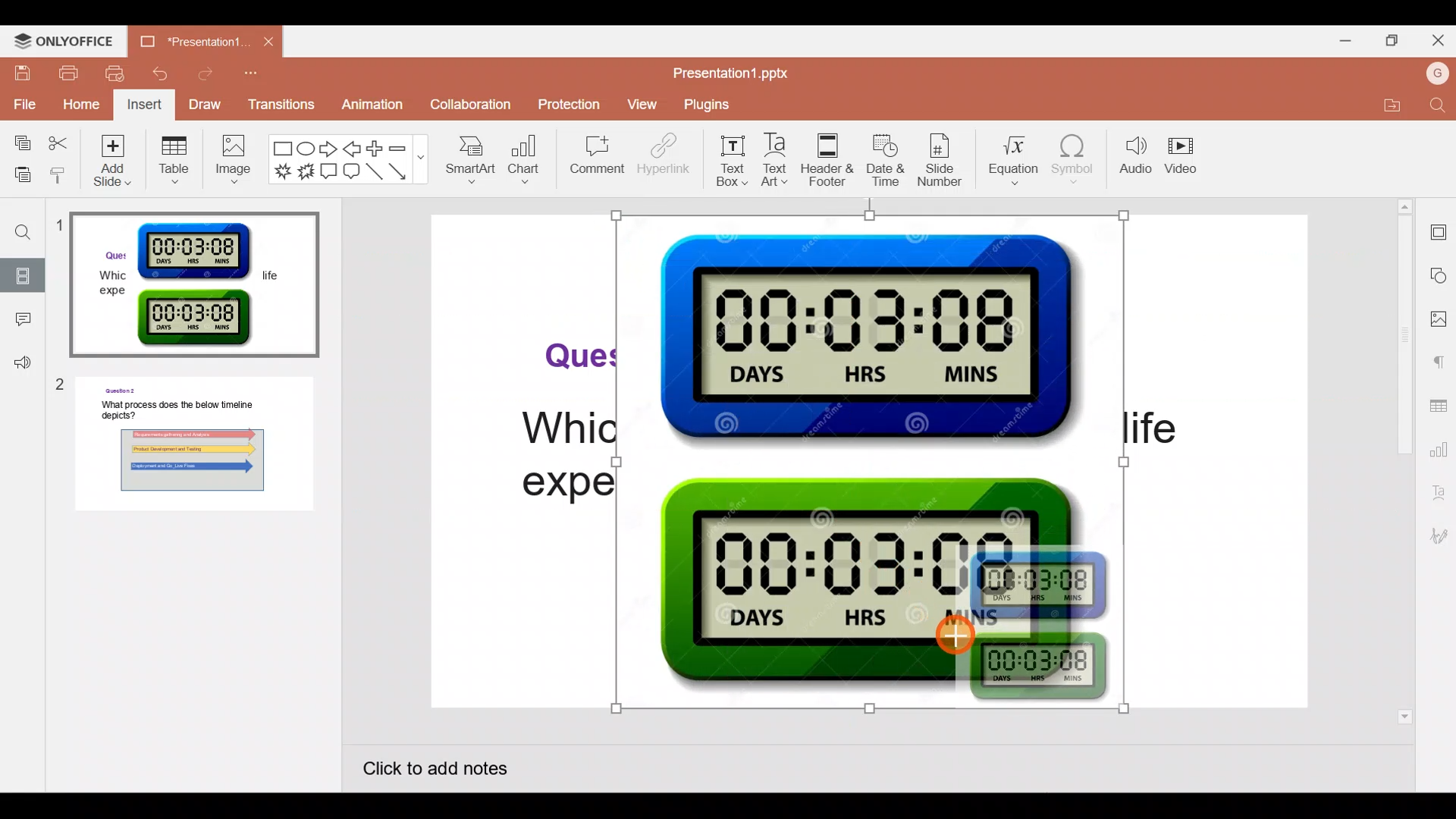  Describe the element at coordinates (331, 150) in the screenshot. I see `Right arrow` at that location.